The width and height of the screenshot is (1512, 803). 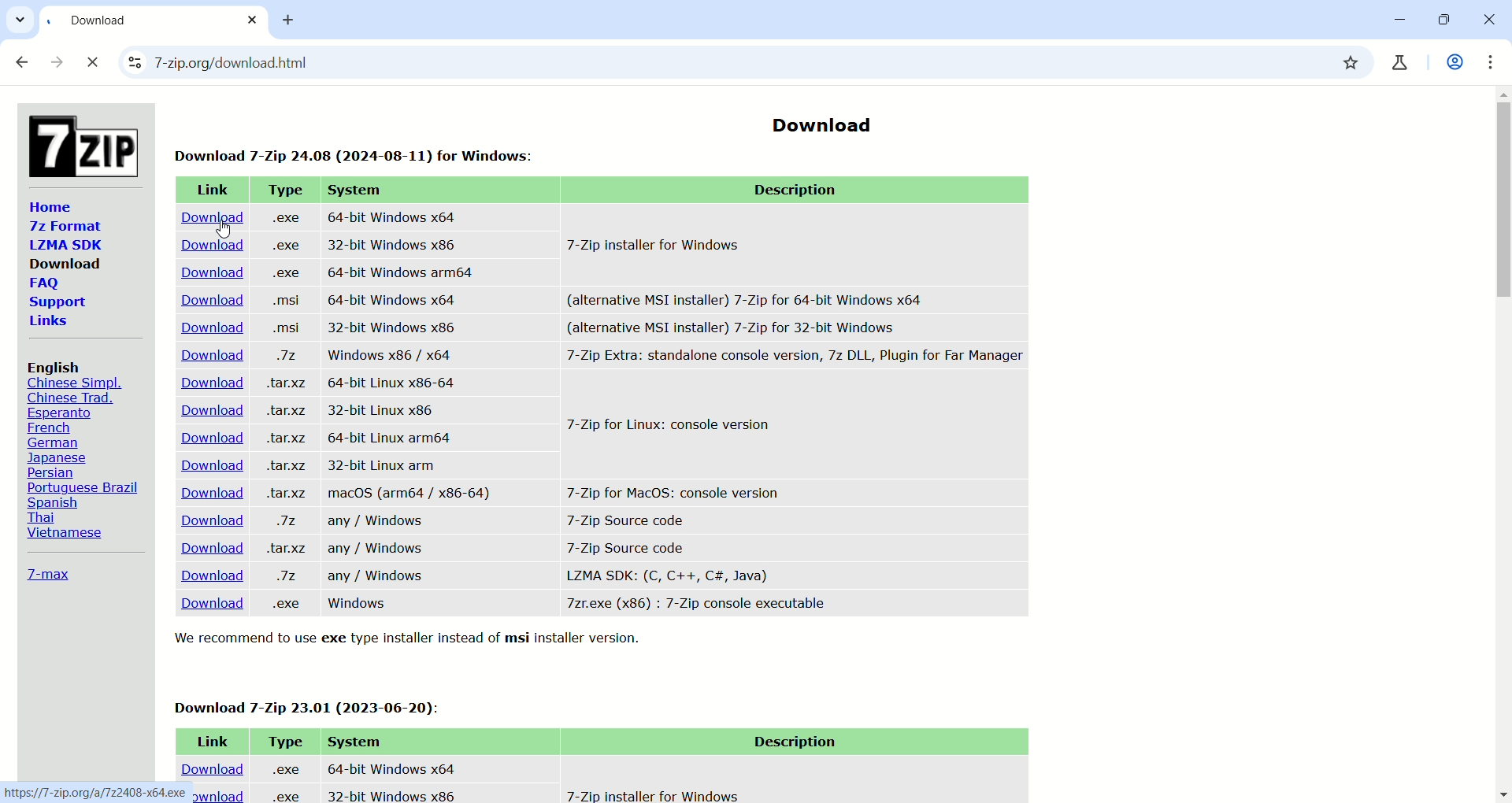 What do you see at coordinates (1440, 21) in the screenshot?
I see `maximize` at bounding box center [1440, 21].